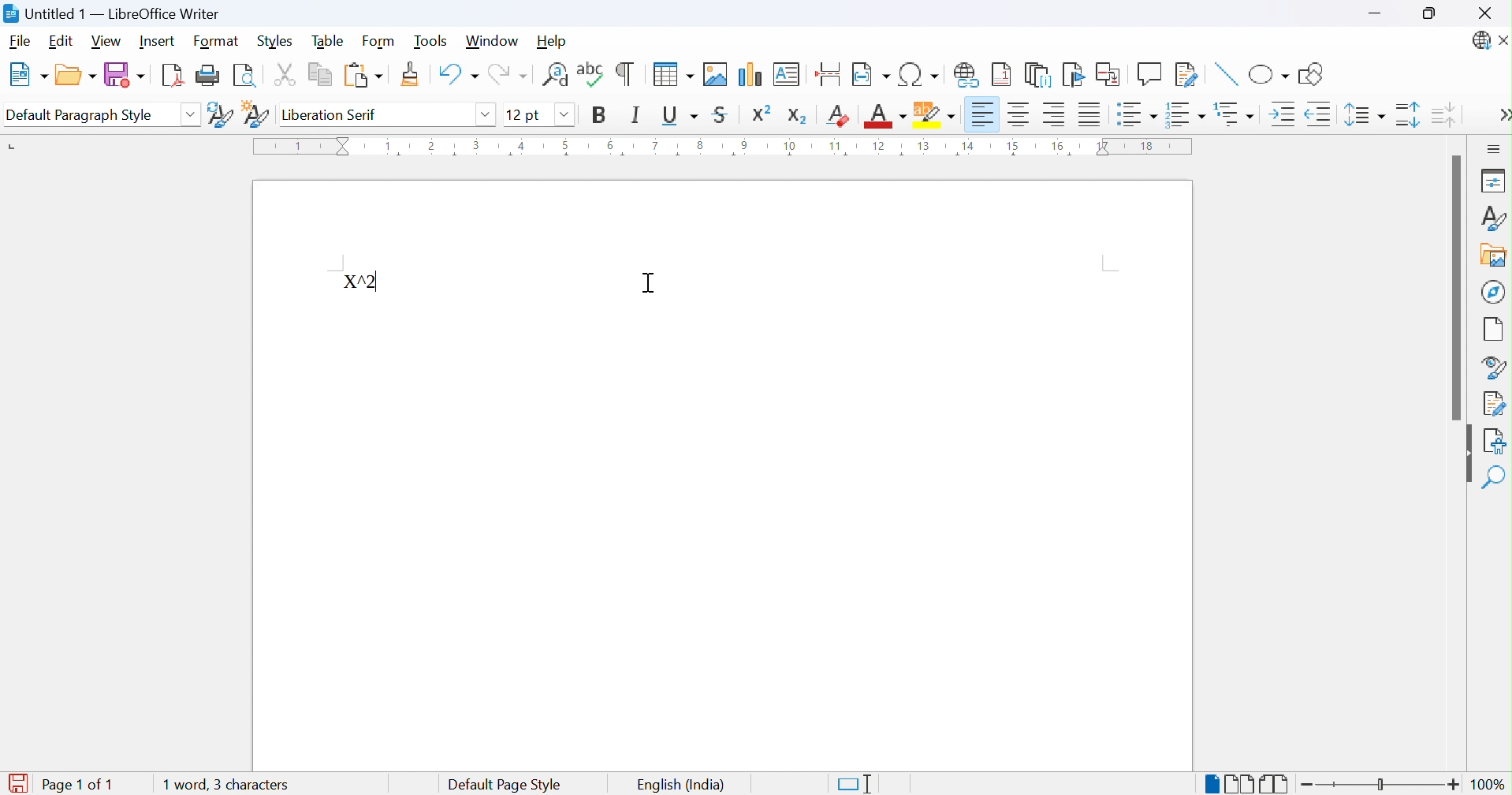  I want to click on Redo, so click(508, 73).